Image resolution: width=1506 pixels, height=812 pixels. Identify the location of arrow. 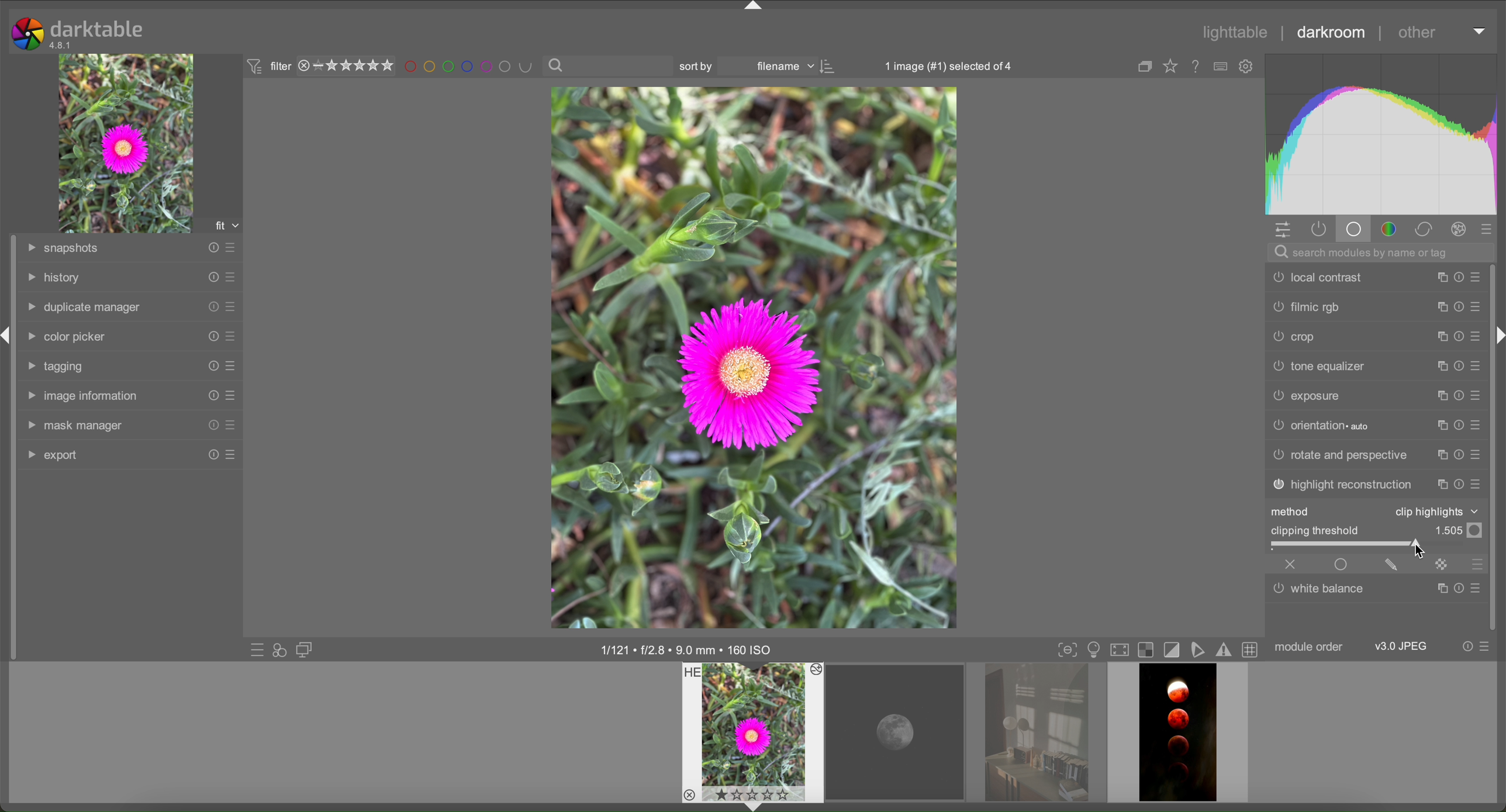
(754, 7).